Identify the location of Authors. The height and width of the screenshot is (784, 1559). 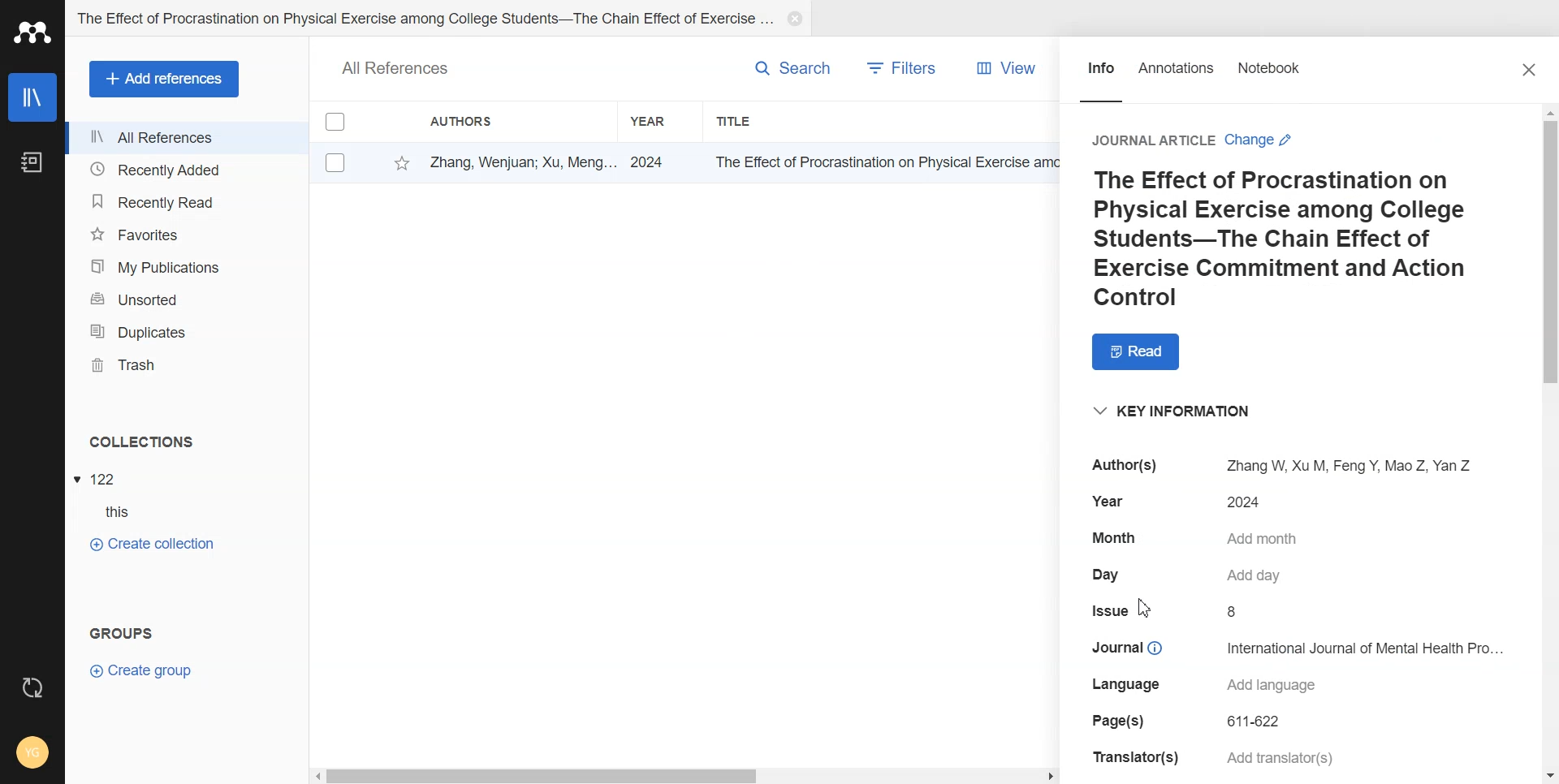
(491, 122).